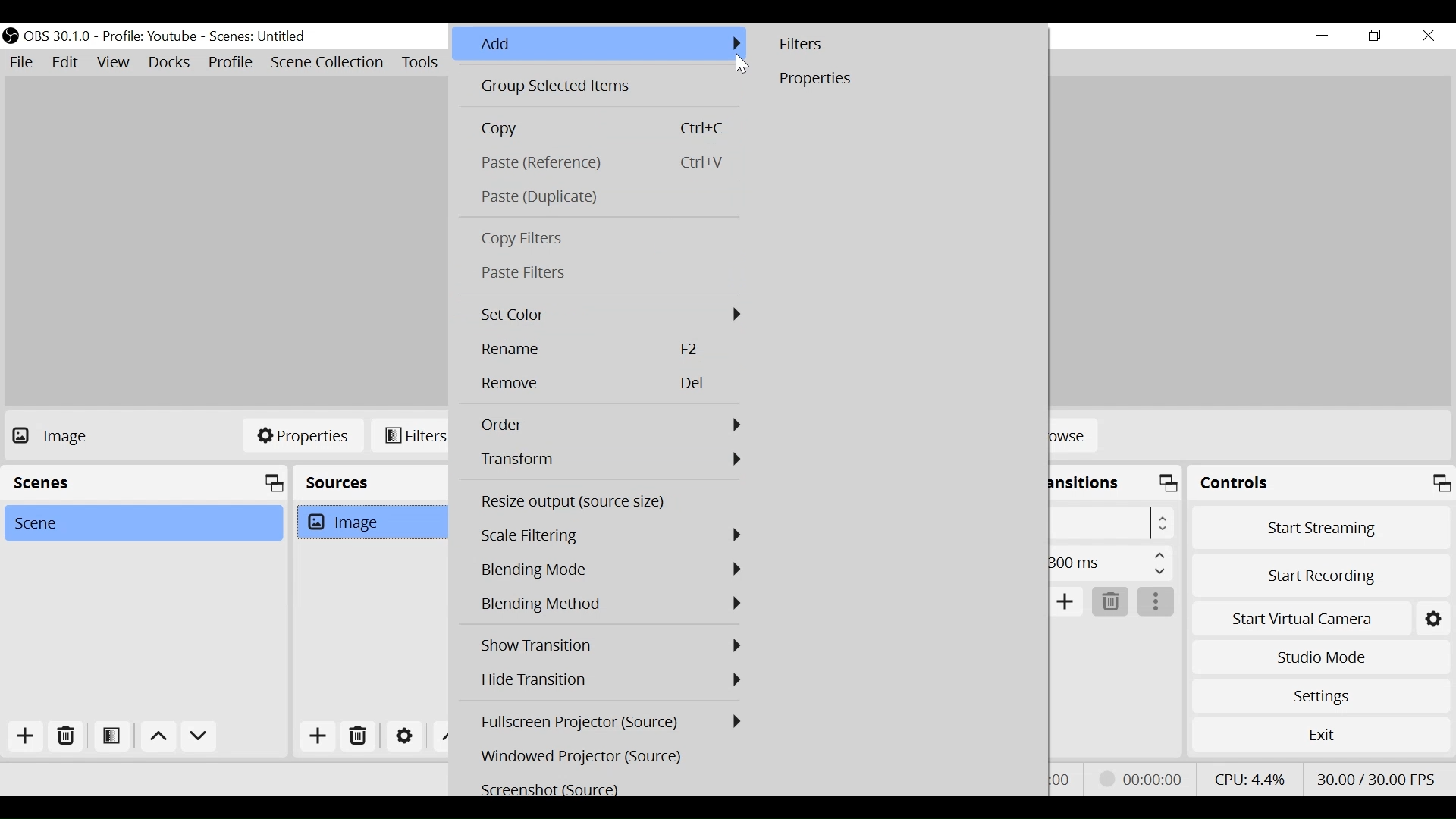  I want to click on Docks, so click(169, 64).